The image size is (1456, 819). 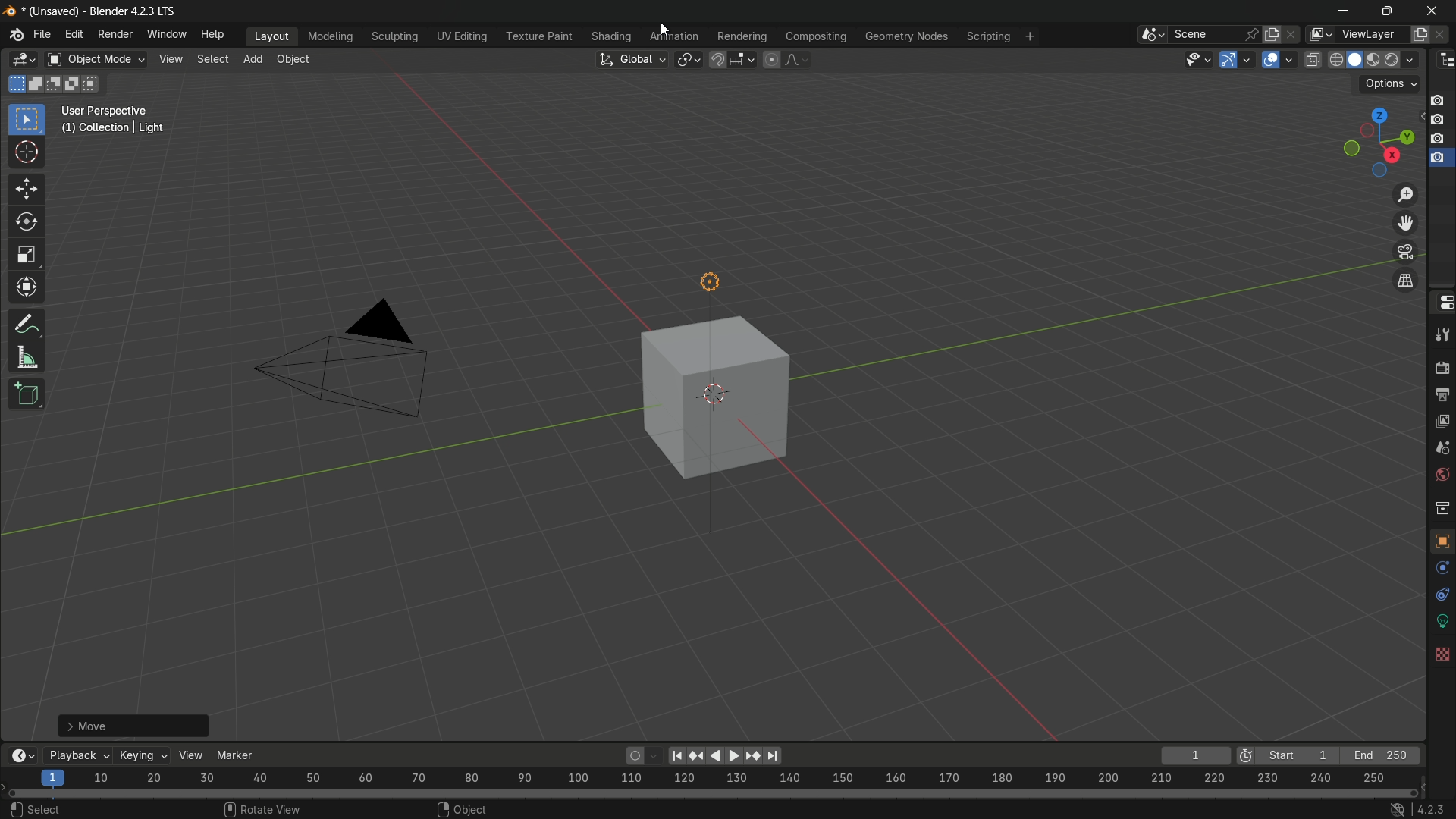 What do you see at coordinates (1441, 597) in the screenshot?
I see `particles` at bounding box center [1441, 597].